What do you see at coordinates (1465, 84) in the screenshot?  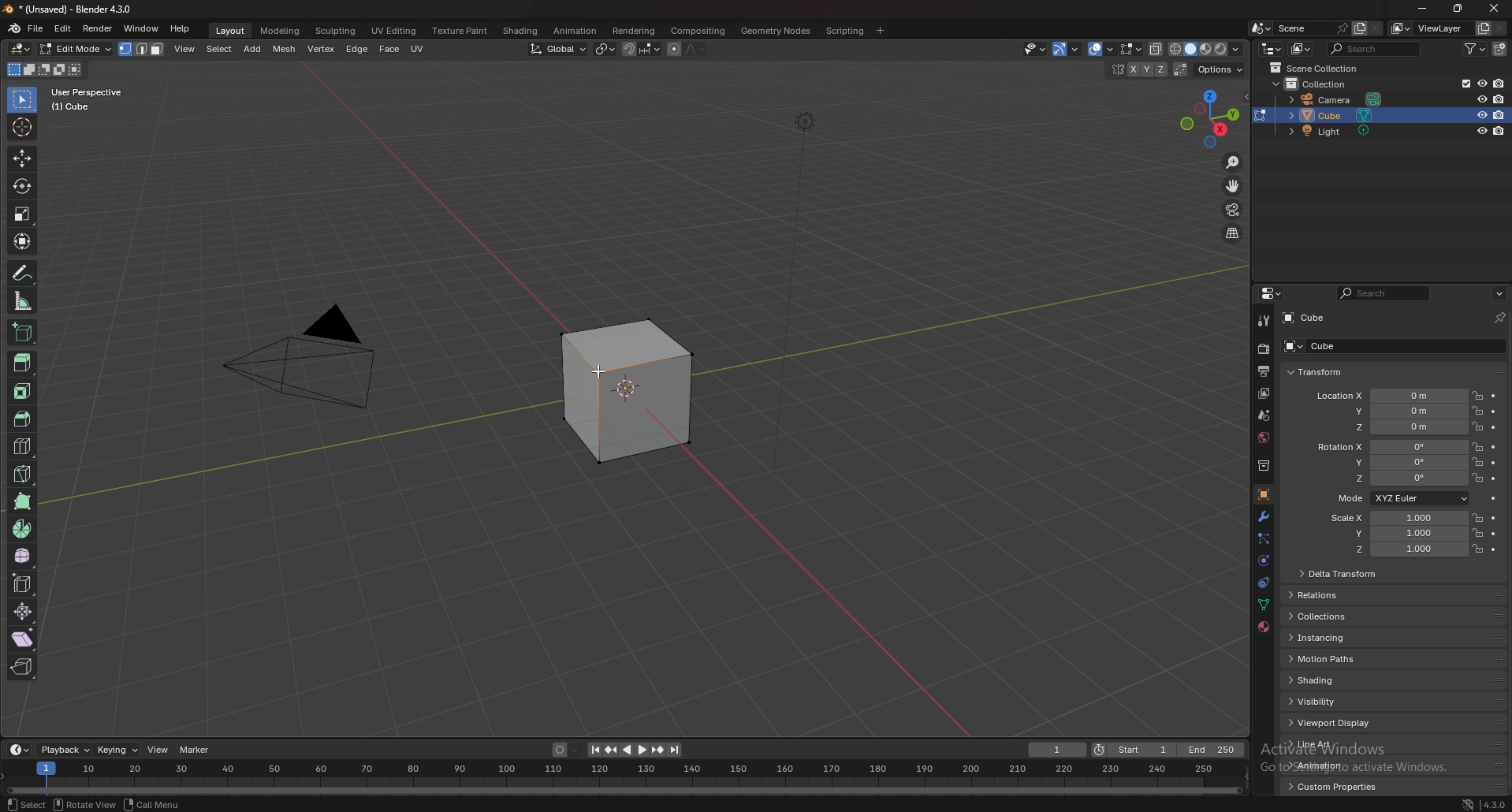 I see `exclude from view layer` at bounding box center [1465, 84].